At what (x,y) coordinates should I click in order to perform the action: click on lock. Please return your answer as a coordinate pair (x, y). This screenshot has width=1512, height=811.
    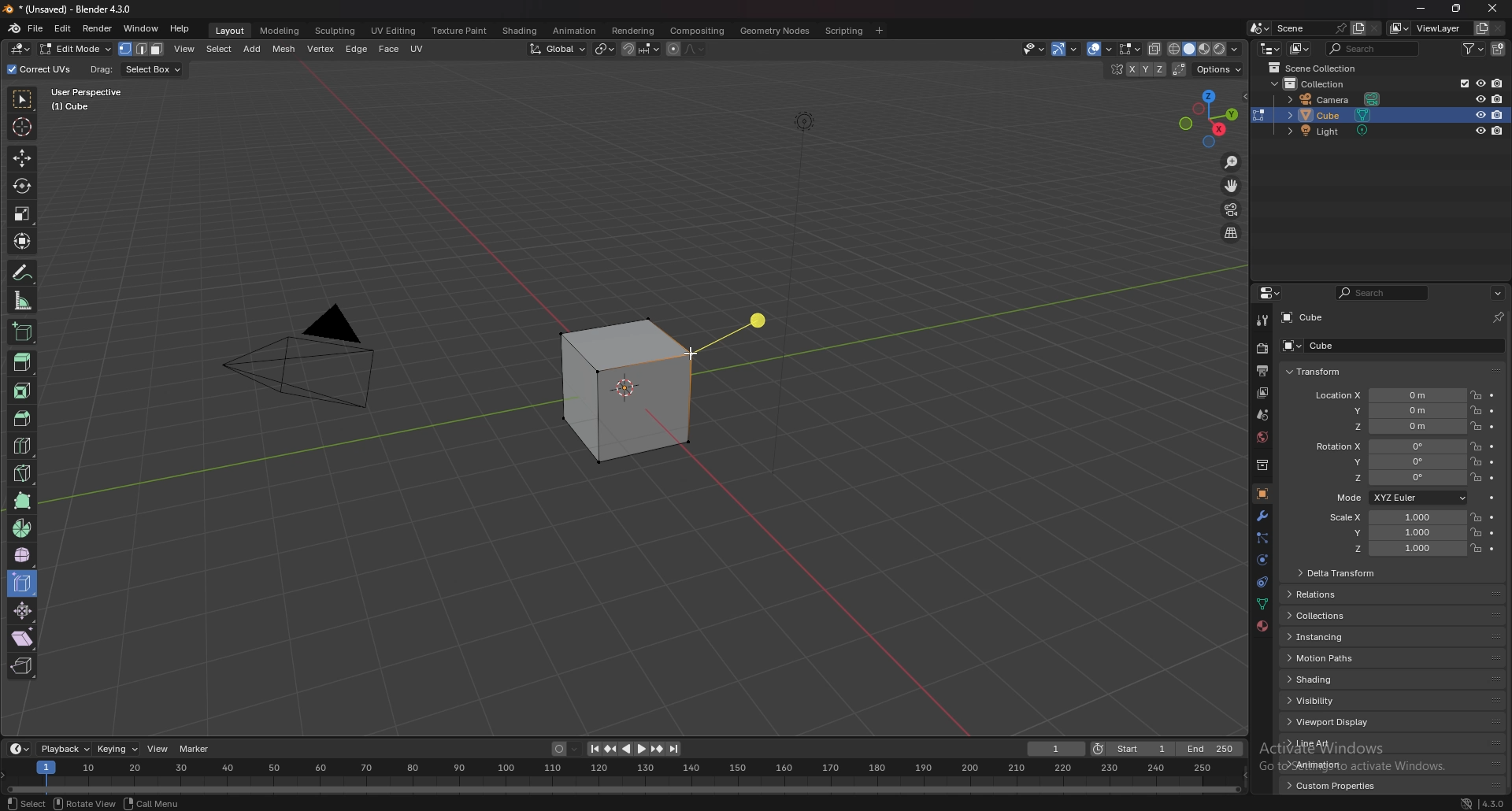
    Looking at the image, I should click on (1475, 517).